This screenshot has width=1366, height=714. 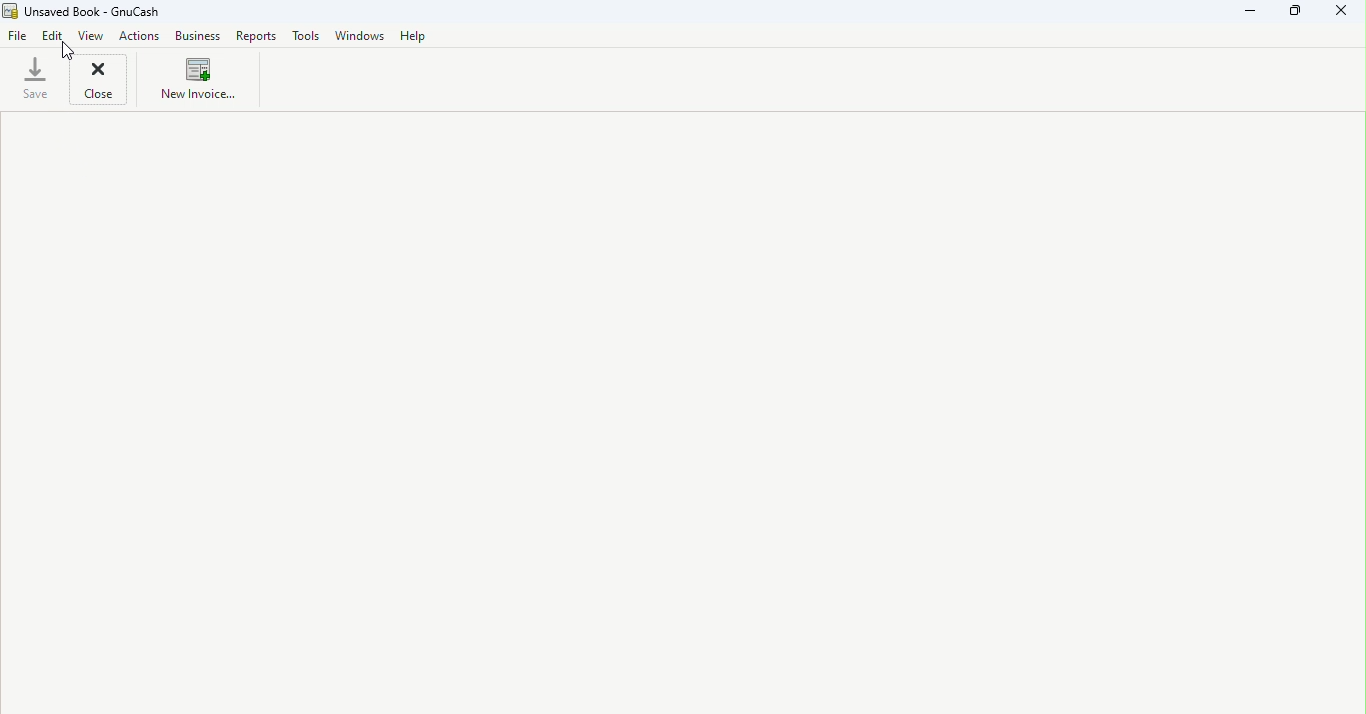 I want to click on Tools, so click(x=308, y=35).